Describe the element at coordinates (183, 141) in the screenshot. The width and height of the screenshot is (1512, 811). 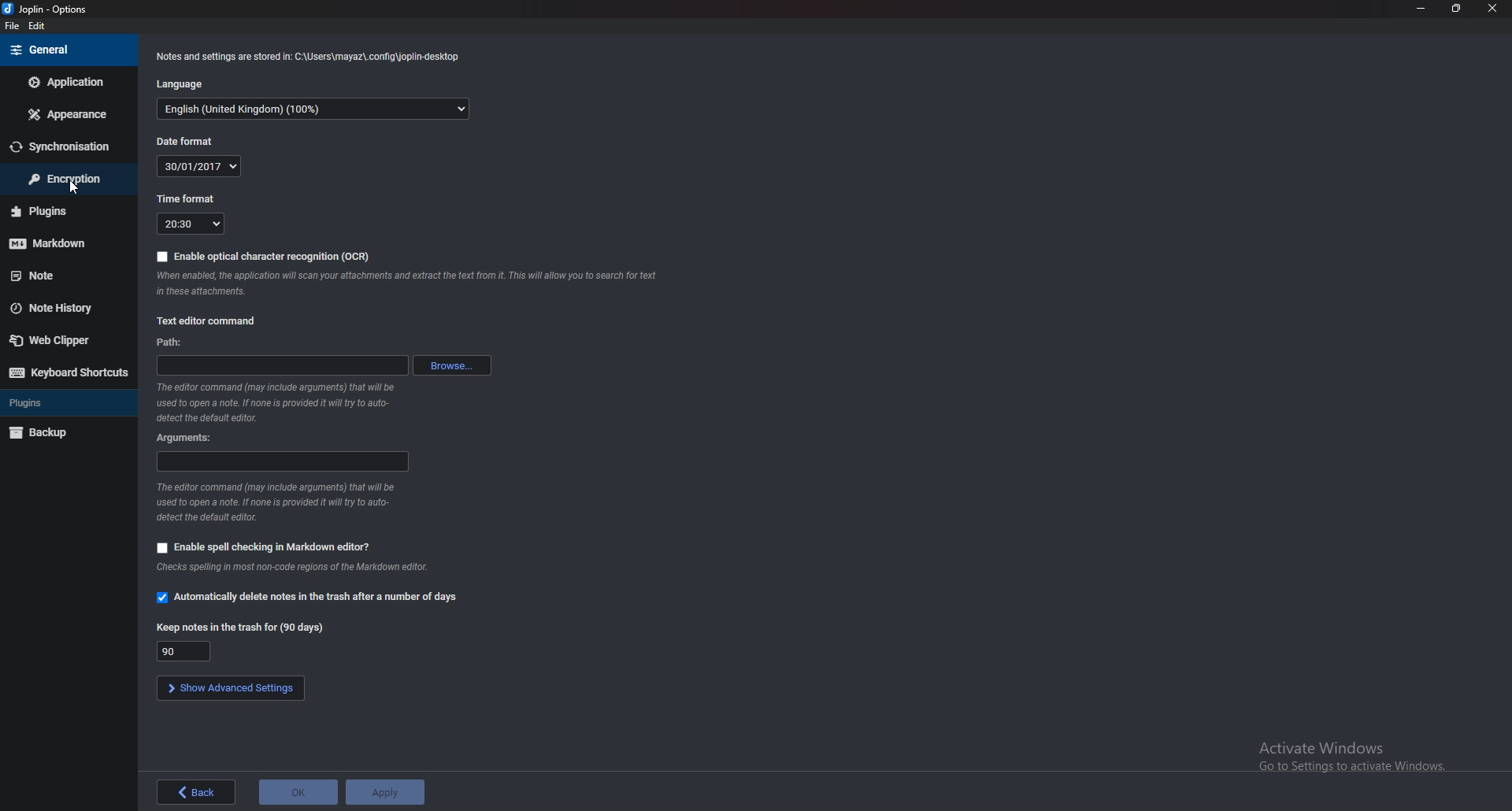
I see `date format` at that location.